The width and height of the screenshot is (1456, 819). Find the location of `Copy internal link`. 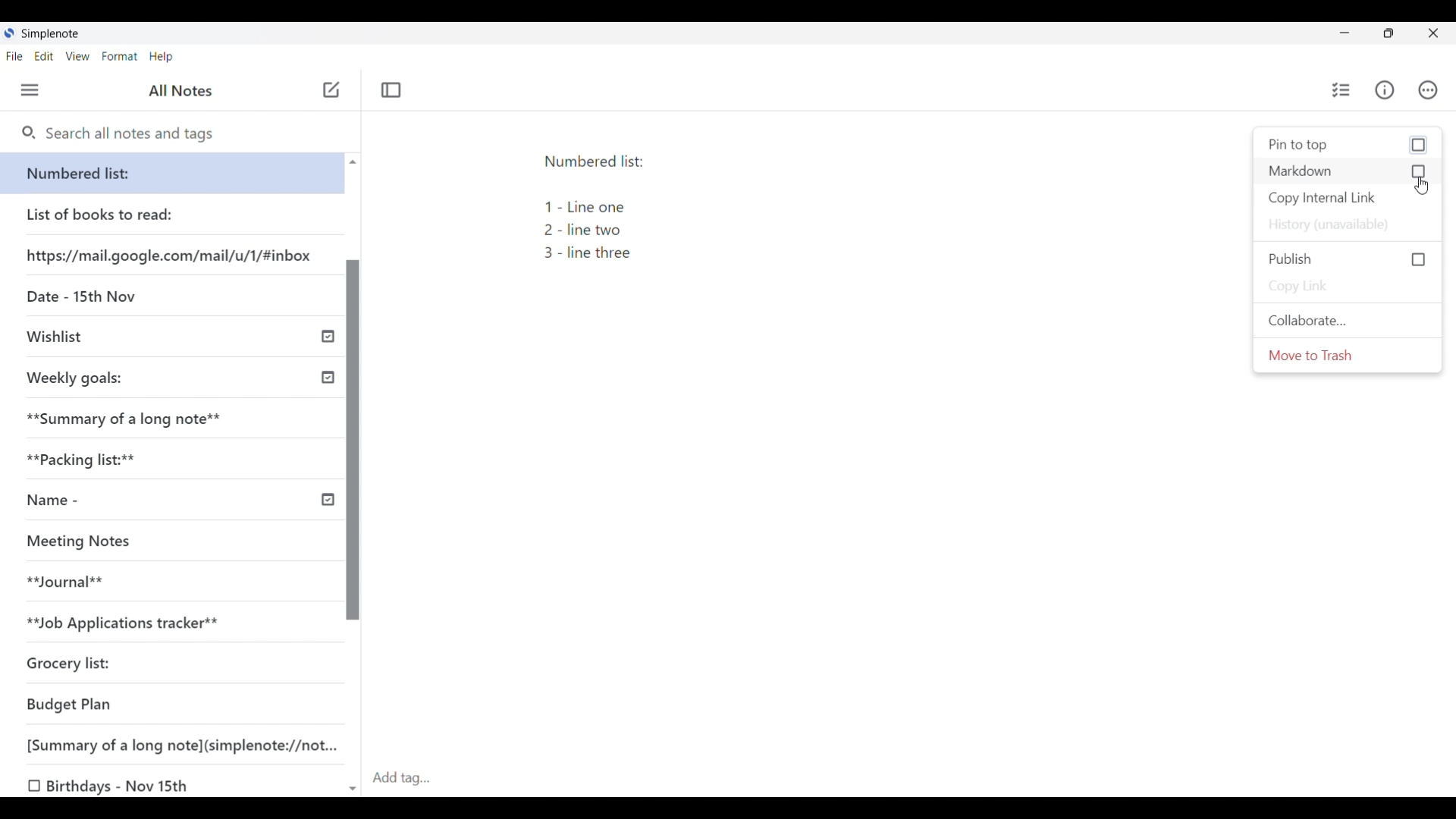

Copy internal link is located at coordinates (1331, 198).